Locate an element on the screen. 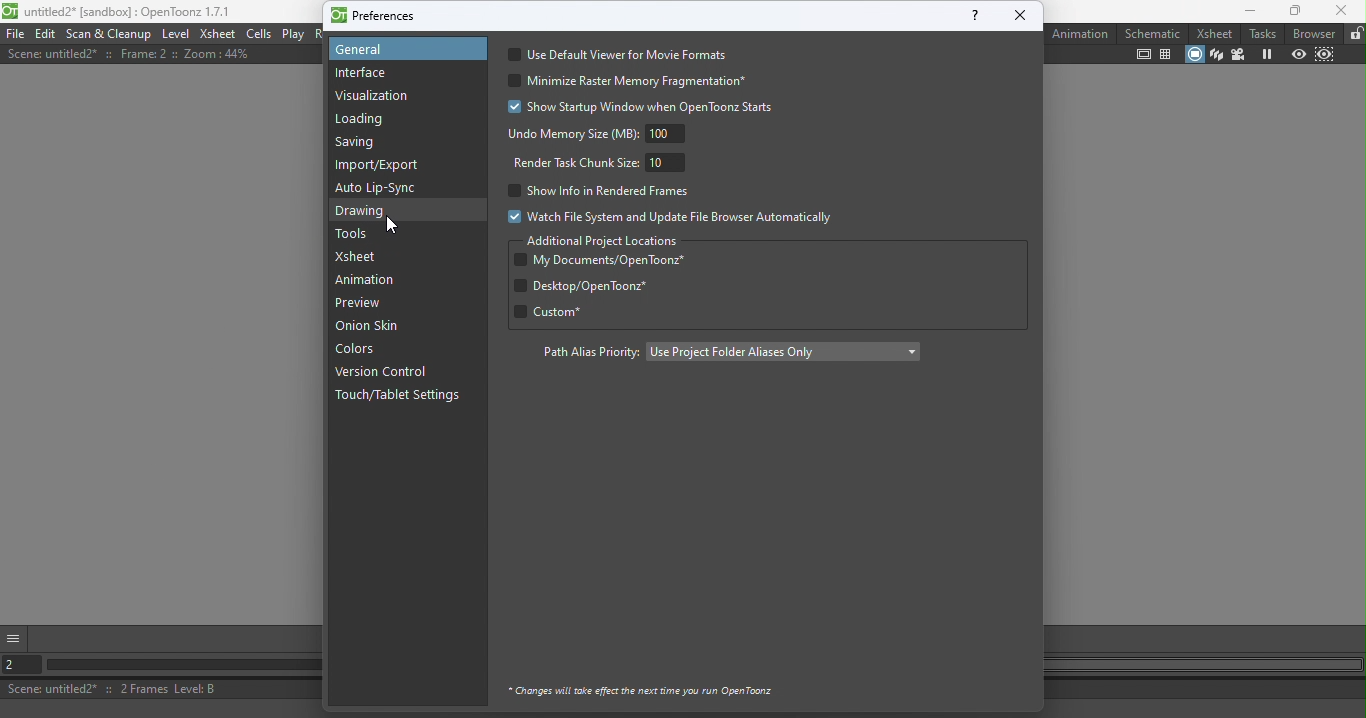  Lock rooms tab is located at coordinates (1354, 34).